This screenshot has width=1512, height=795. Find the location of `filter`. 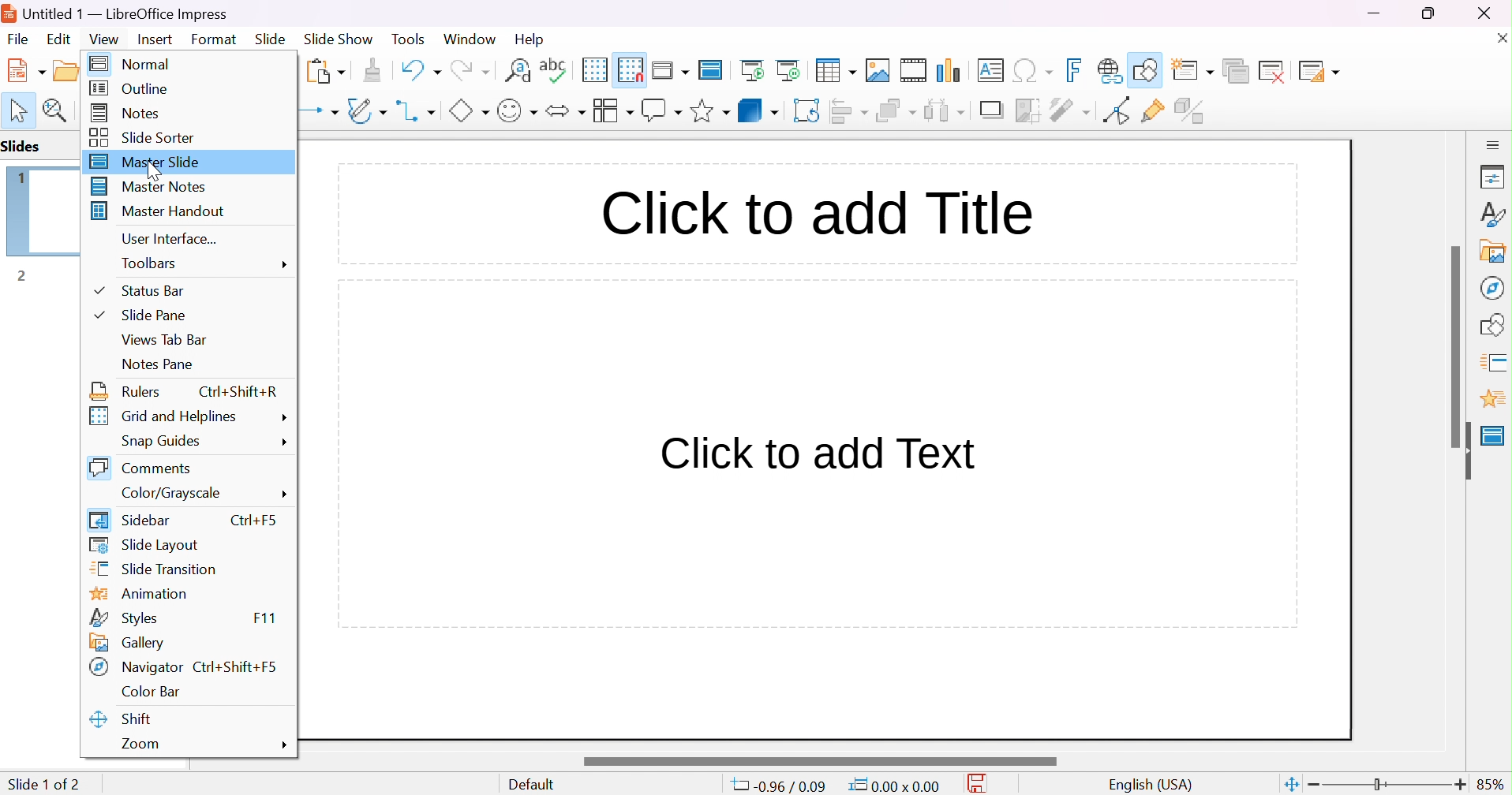

filter is located at coordinates (1072, 110).